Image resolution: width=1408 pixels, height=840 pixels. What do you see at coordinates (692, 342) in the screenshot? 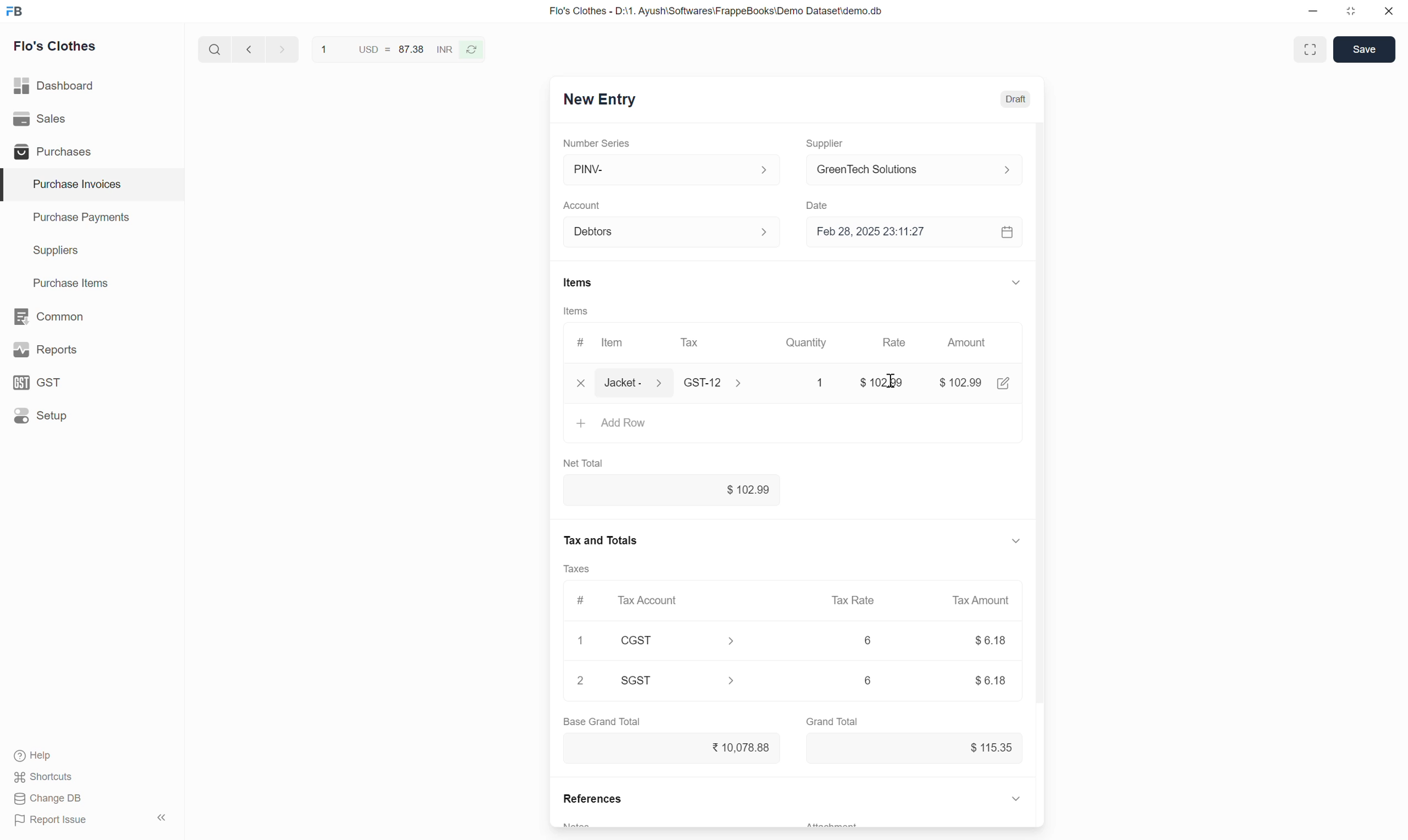
I see `Tax` at bounding box center [692, 342].